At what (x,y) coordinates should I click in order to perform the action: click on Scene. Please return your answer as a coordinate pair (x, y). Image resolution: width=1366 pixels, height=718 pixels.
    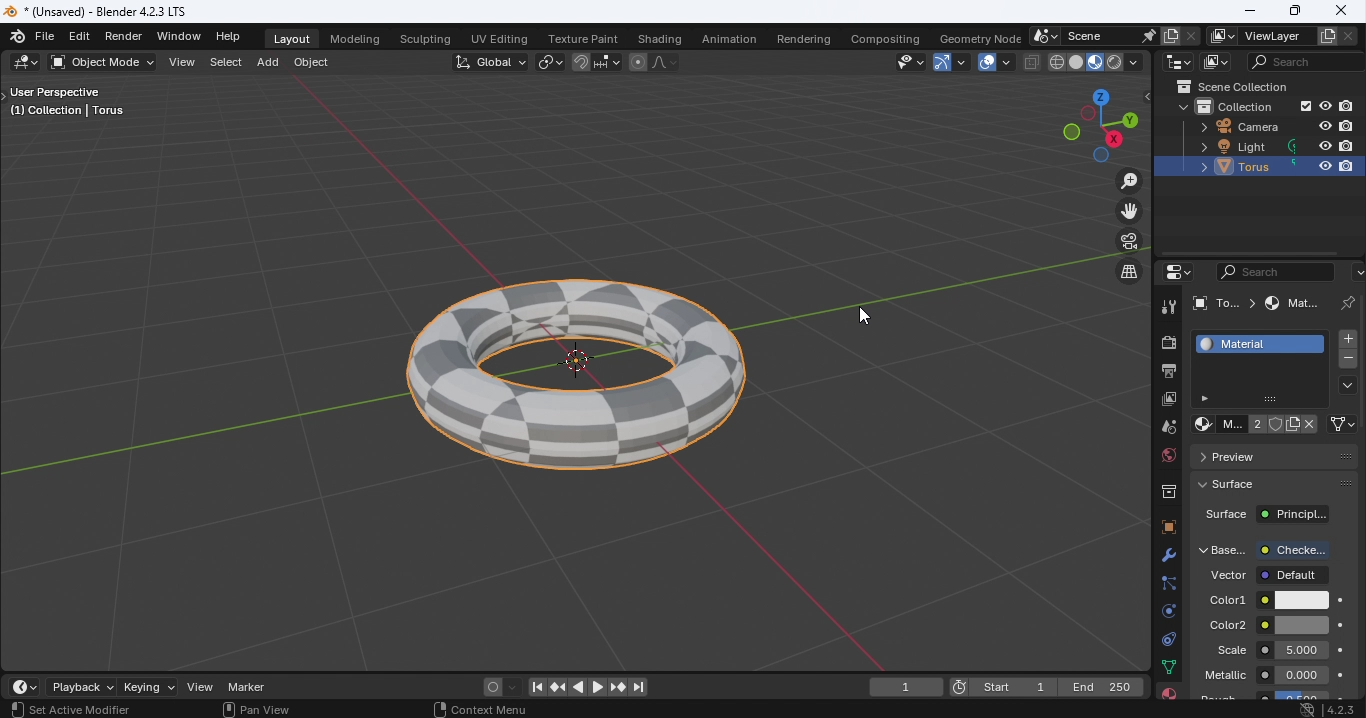
    Looking at the image, I should click on (1093, 34).